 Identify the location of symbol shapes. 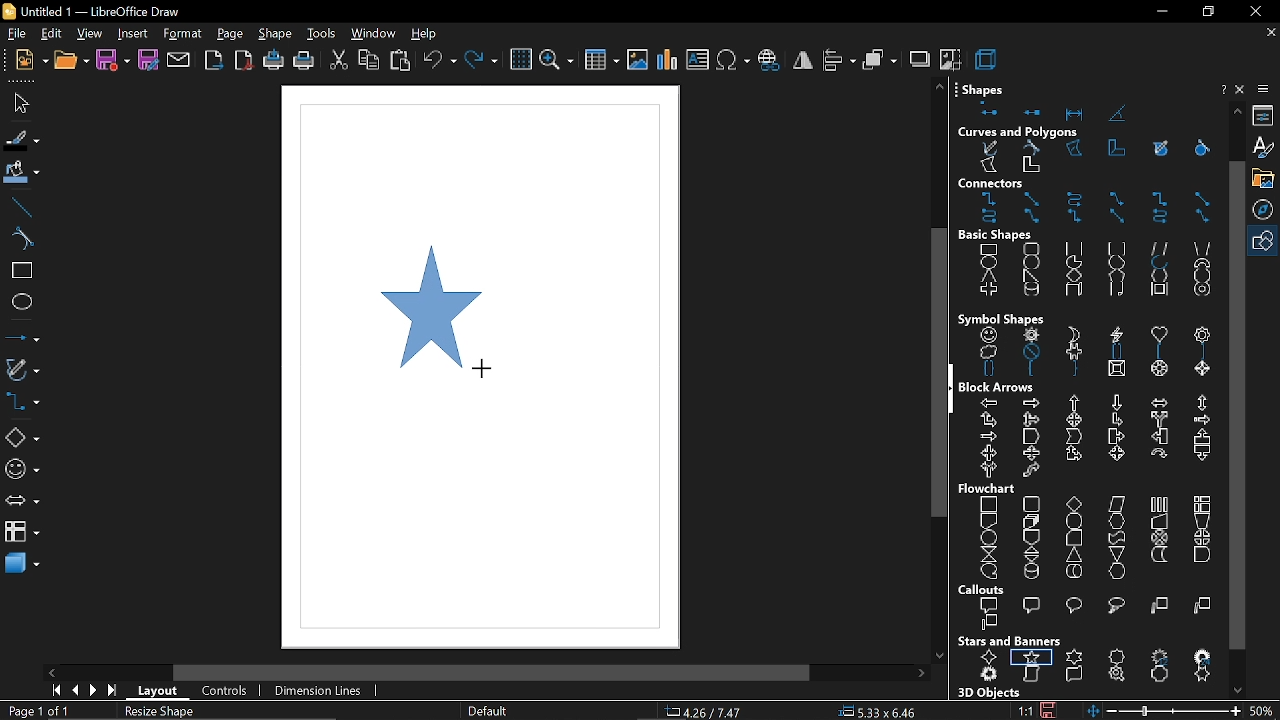
(1005, 315).